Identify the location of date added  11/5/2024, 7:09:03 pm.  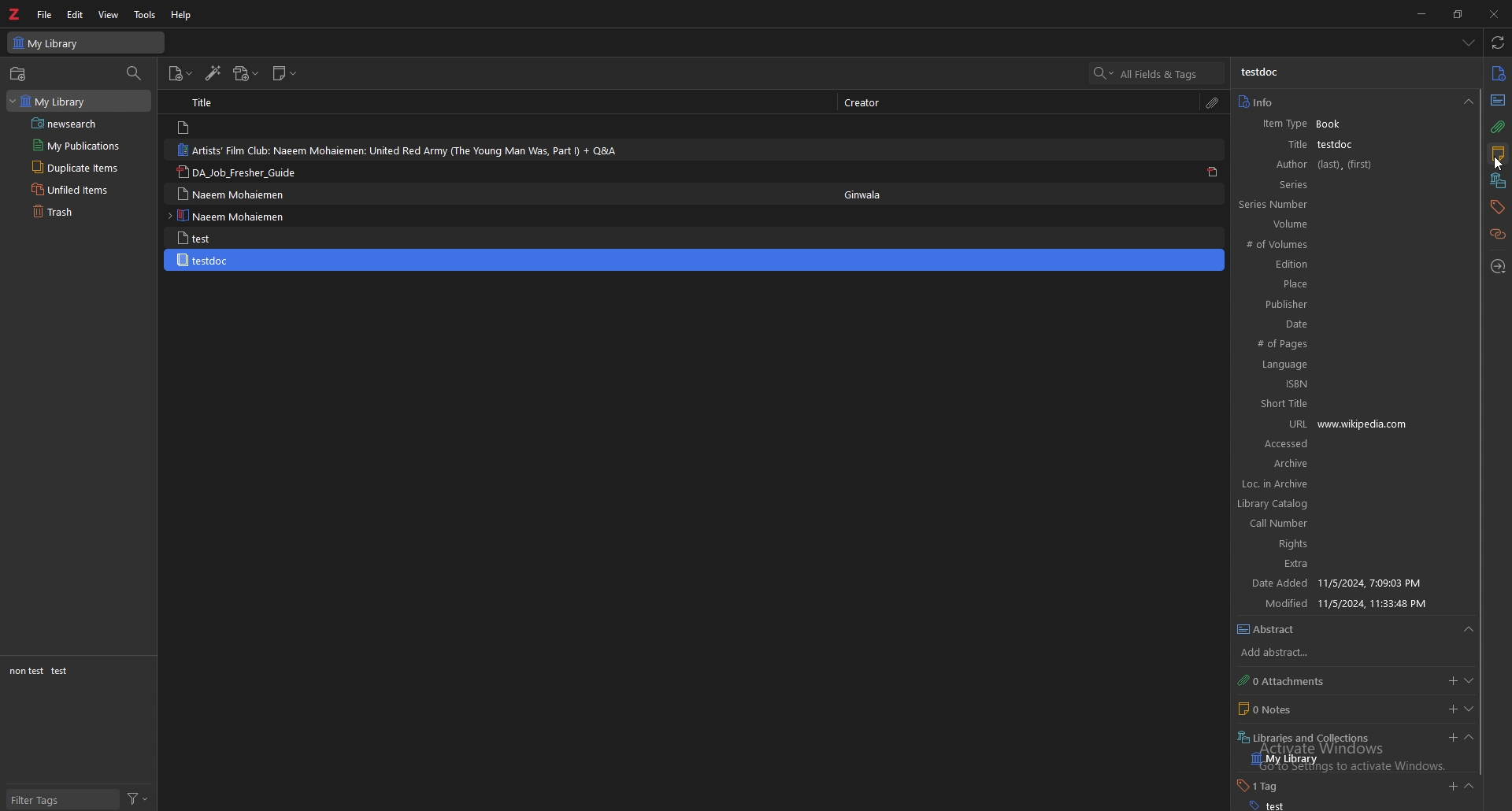
(1349, 585).